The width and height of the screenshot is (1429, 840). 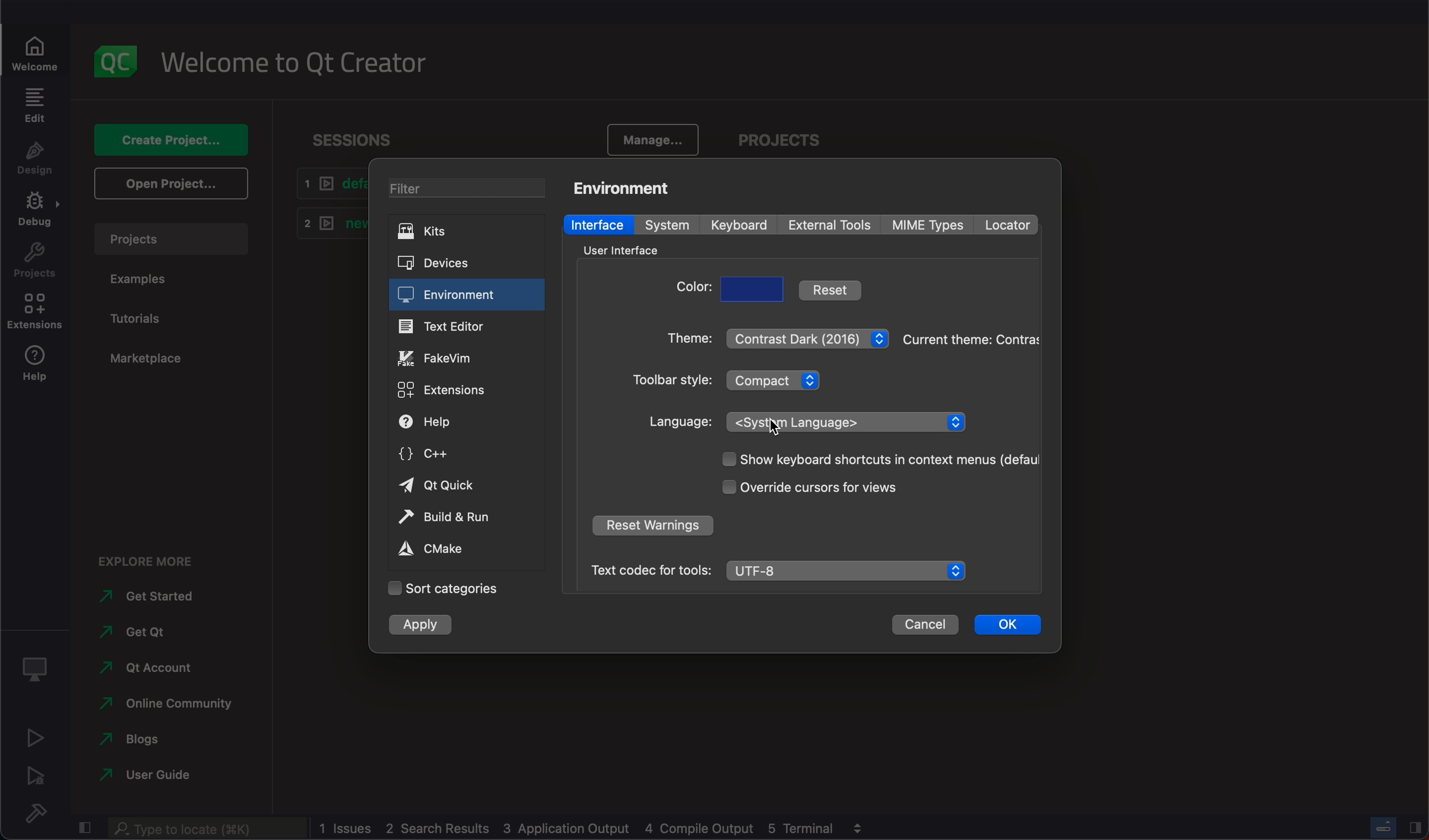 What do you see at coordinates (425, 623) in the screenshot?
I see `apply` at bounding box center [425, 623].